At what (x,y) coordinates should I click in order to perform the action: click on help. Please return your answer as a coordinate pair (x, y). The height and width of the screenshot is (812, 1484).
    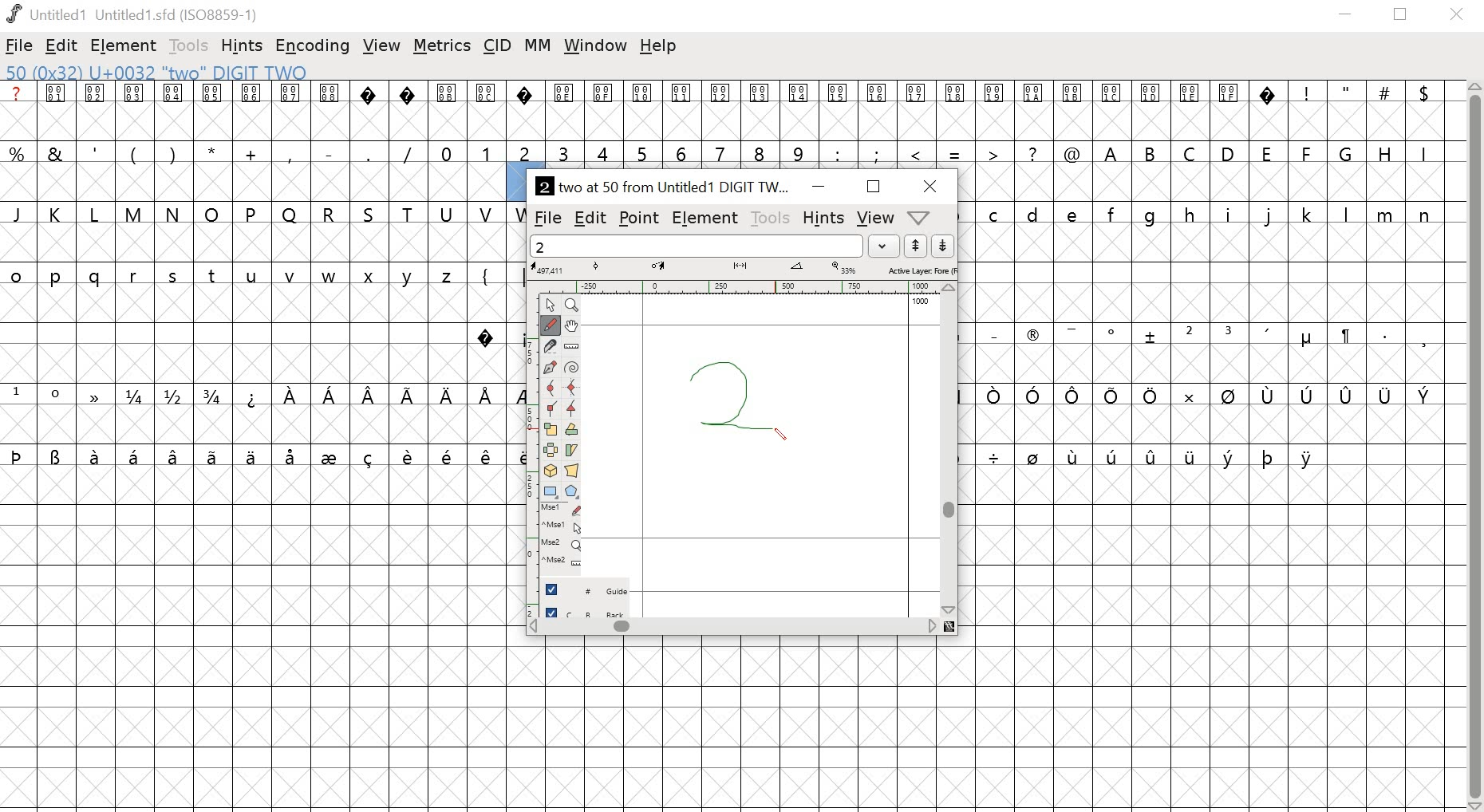
    Looking at the image, I should click on (658, 48).